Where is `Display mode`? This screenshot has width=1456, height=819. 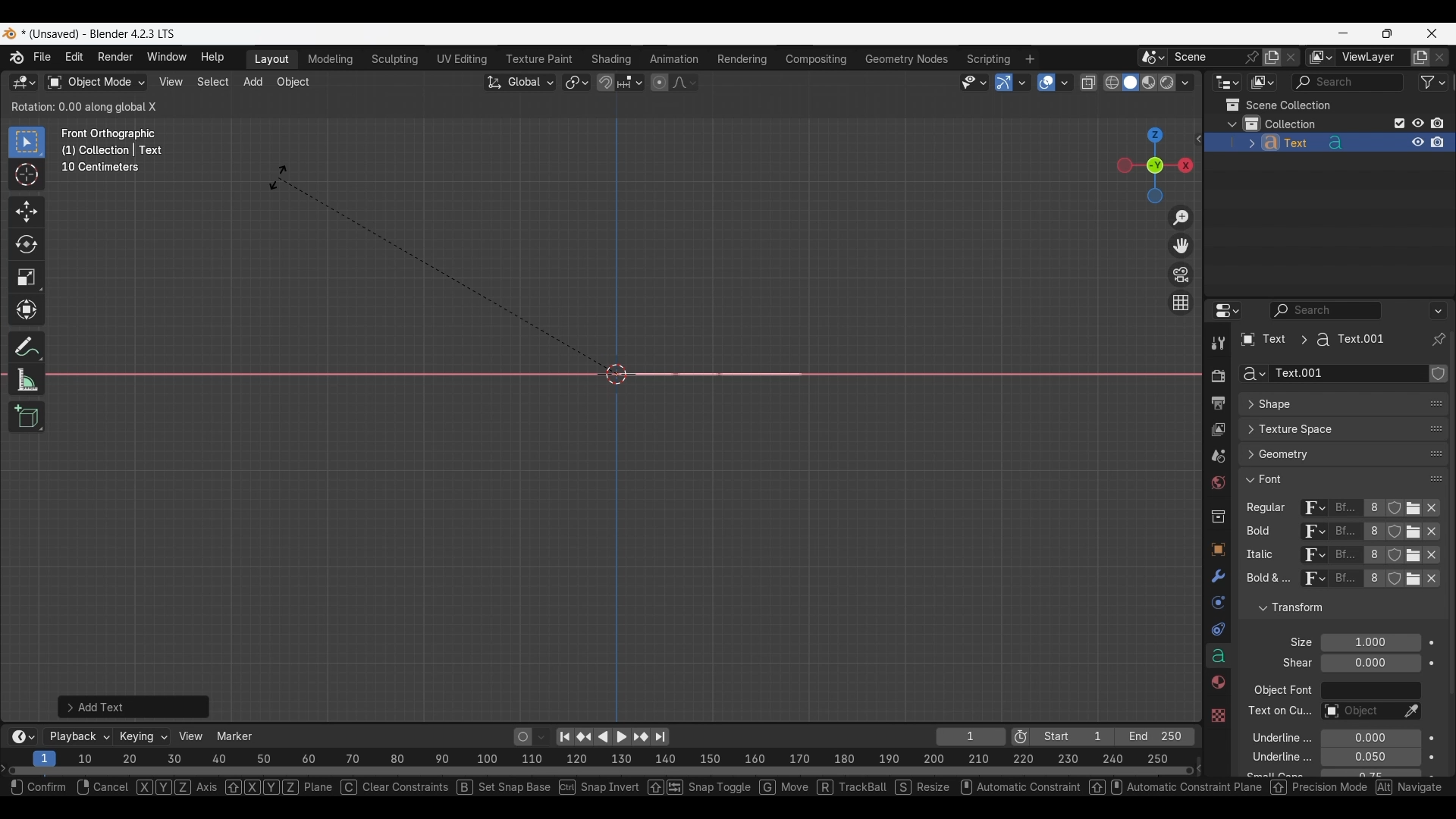 Display mode is located at coordinates (1262, 83).